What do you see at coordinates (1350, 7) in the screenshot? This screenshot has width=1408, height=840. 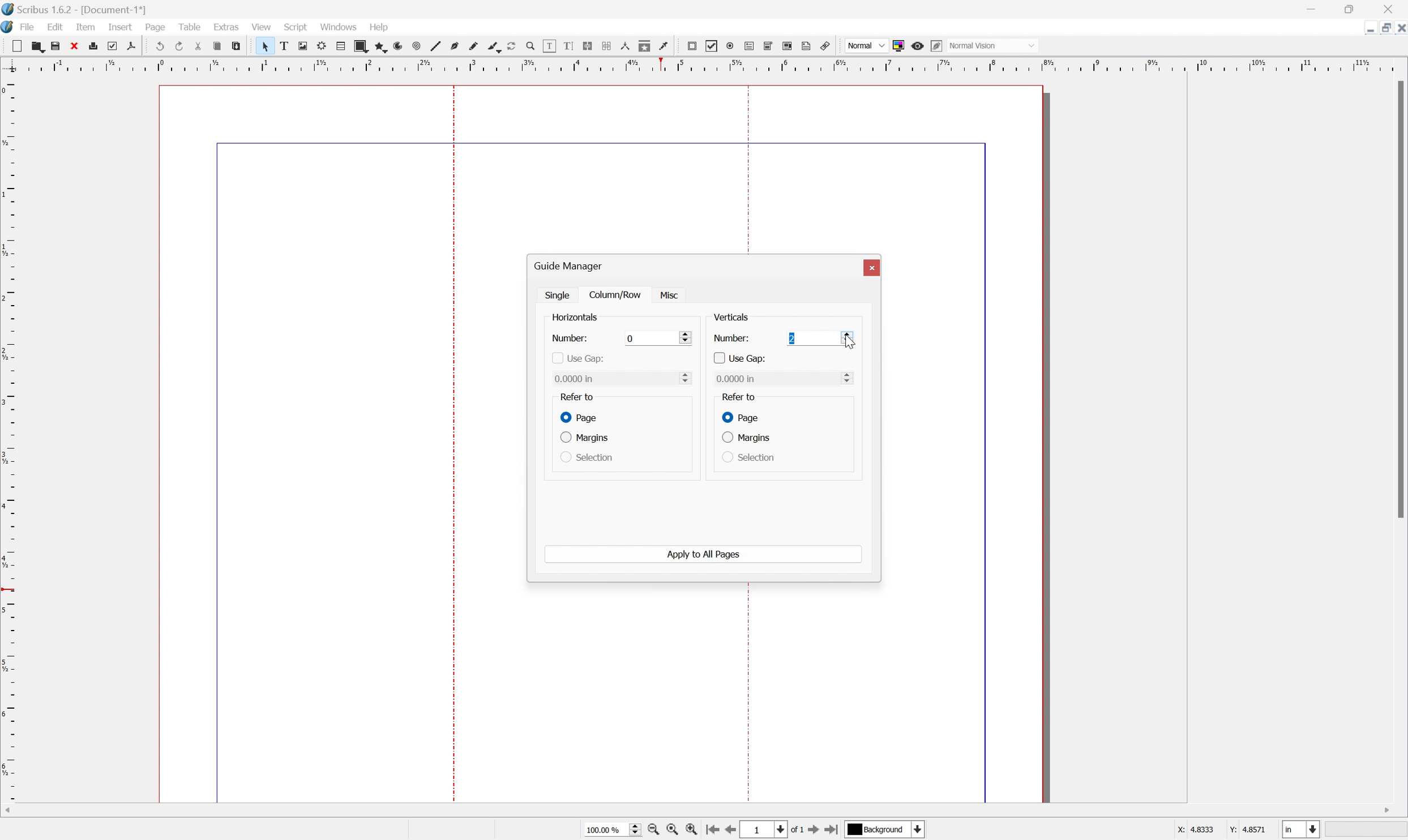 I see `restore down` at bounding box center [1350, 7].